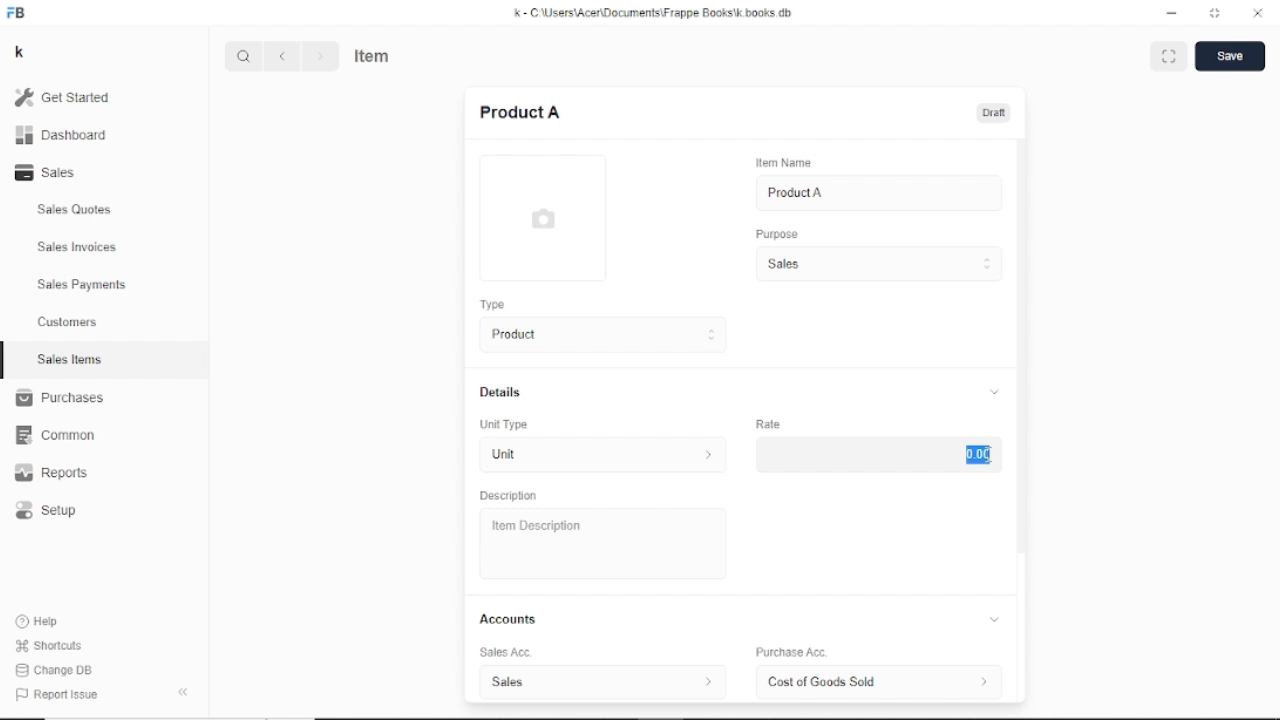  I want to click on Purchase Acc., so click(790, 653).